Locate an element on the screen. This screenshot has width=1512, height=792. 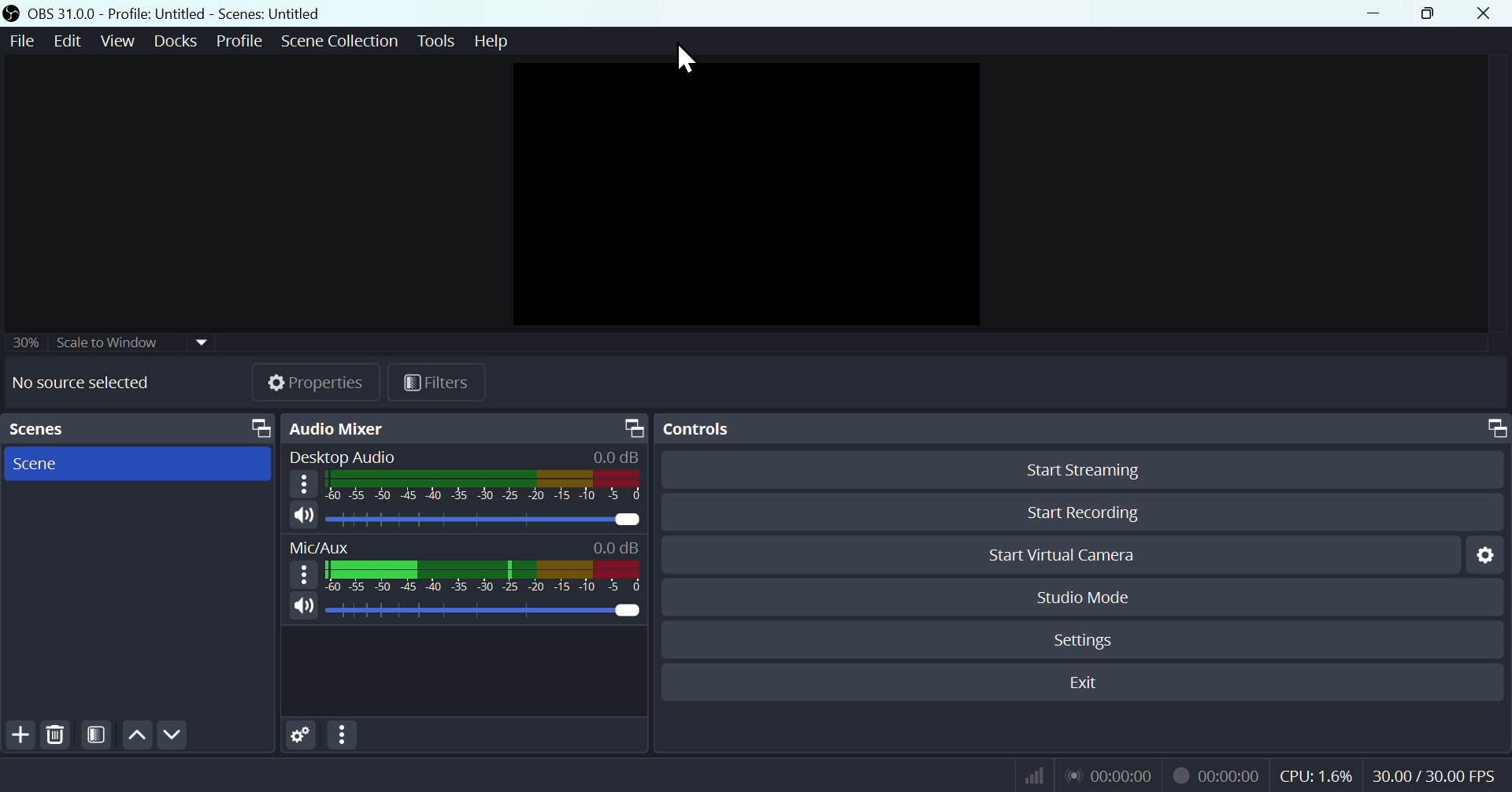
scene is located at coordinates (140, 464).